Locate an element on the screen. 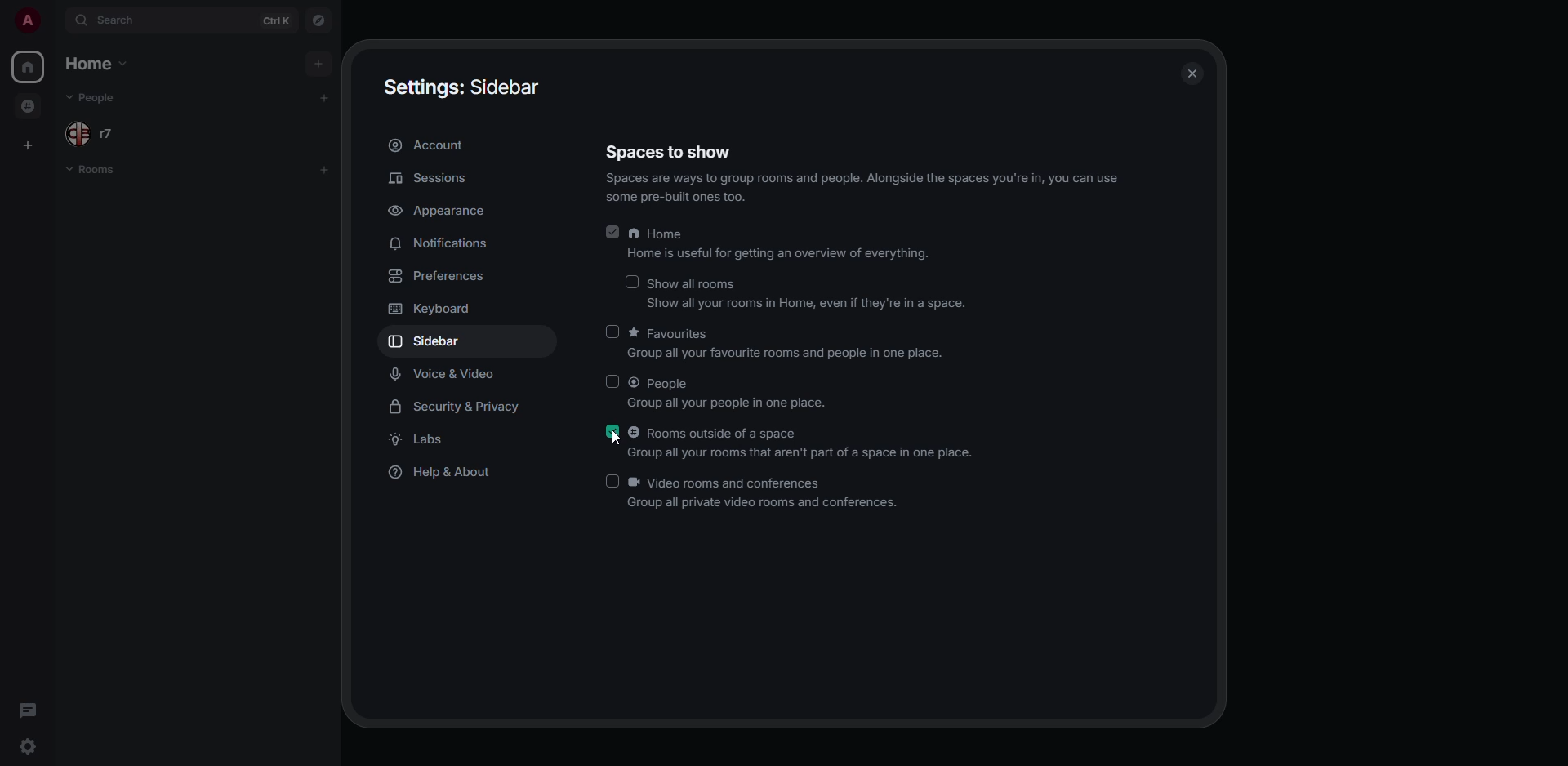 This screenshot has height=766, width=1568. quick settings is located at coordinates (26, 746).